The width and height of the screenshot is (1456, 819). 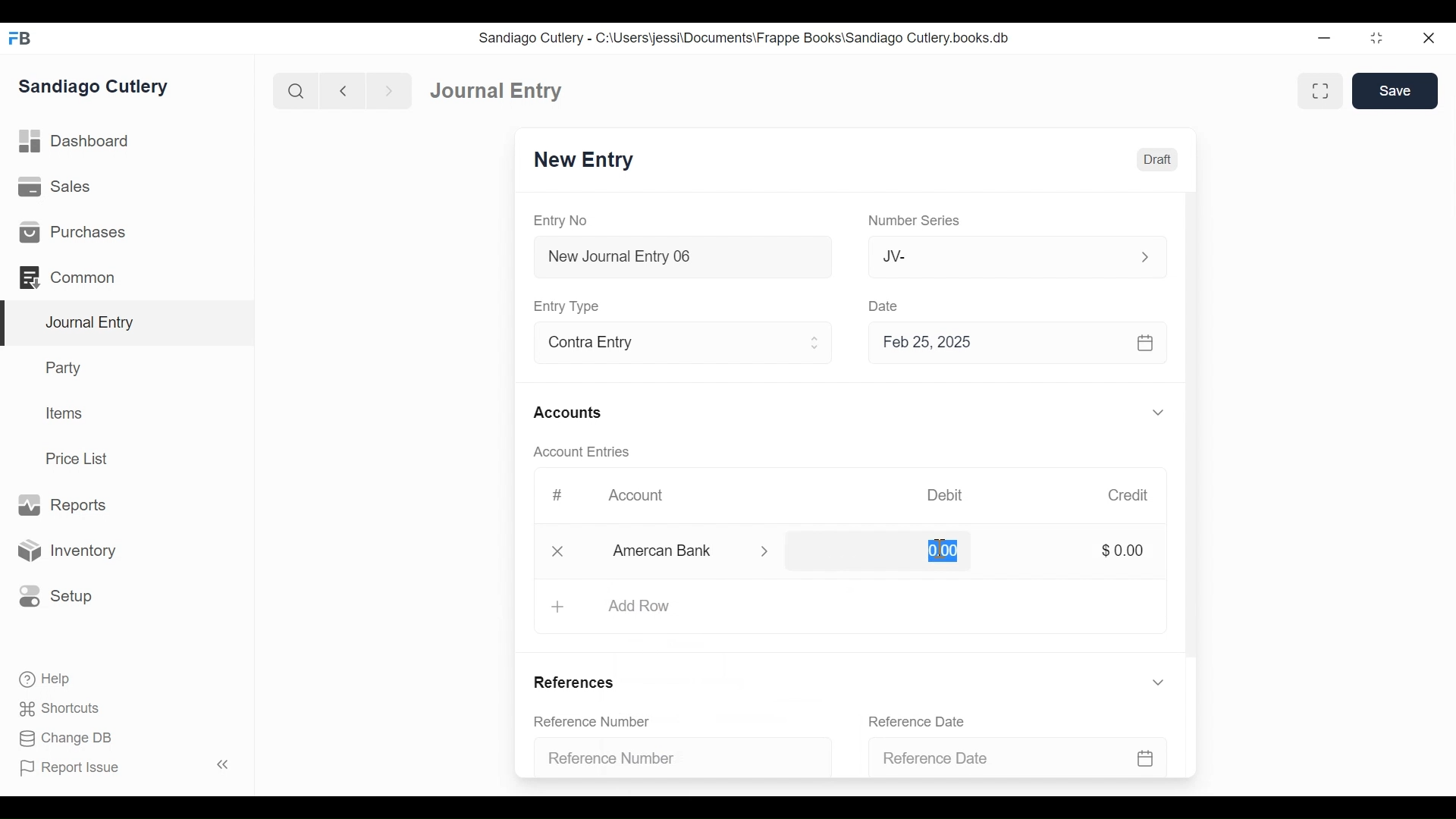 What do you see at coordinates (1325, 37) in the screenshot?
I see `minimize` at bounding box center [1325, 37].